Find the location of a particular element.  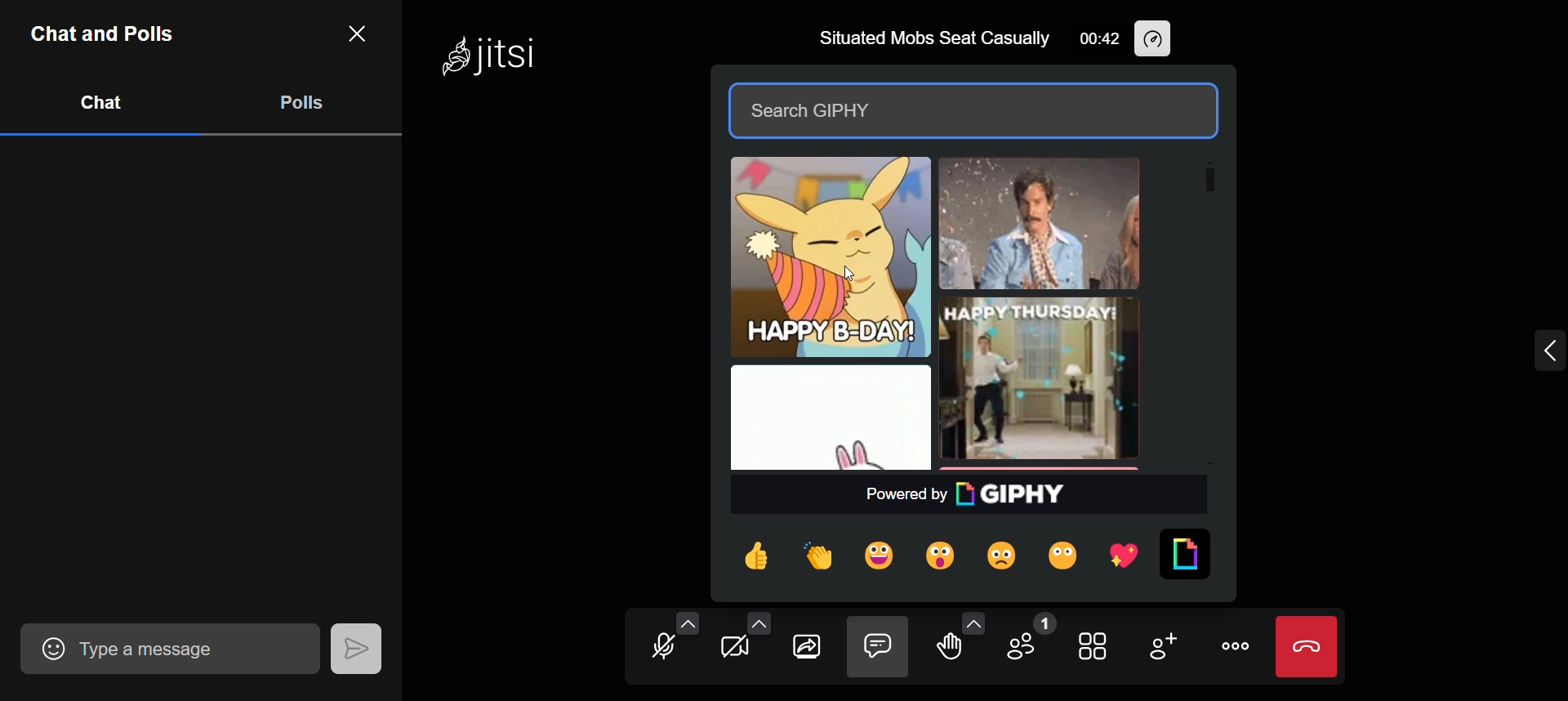

clap reaction is located at coordinates (817, 556).